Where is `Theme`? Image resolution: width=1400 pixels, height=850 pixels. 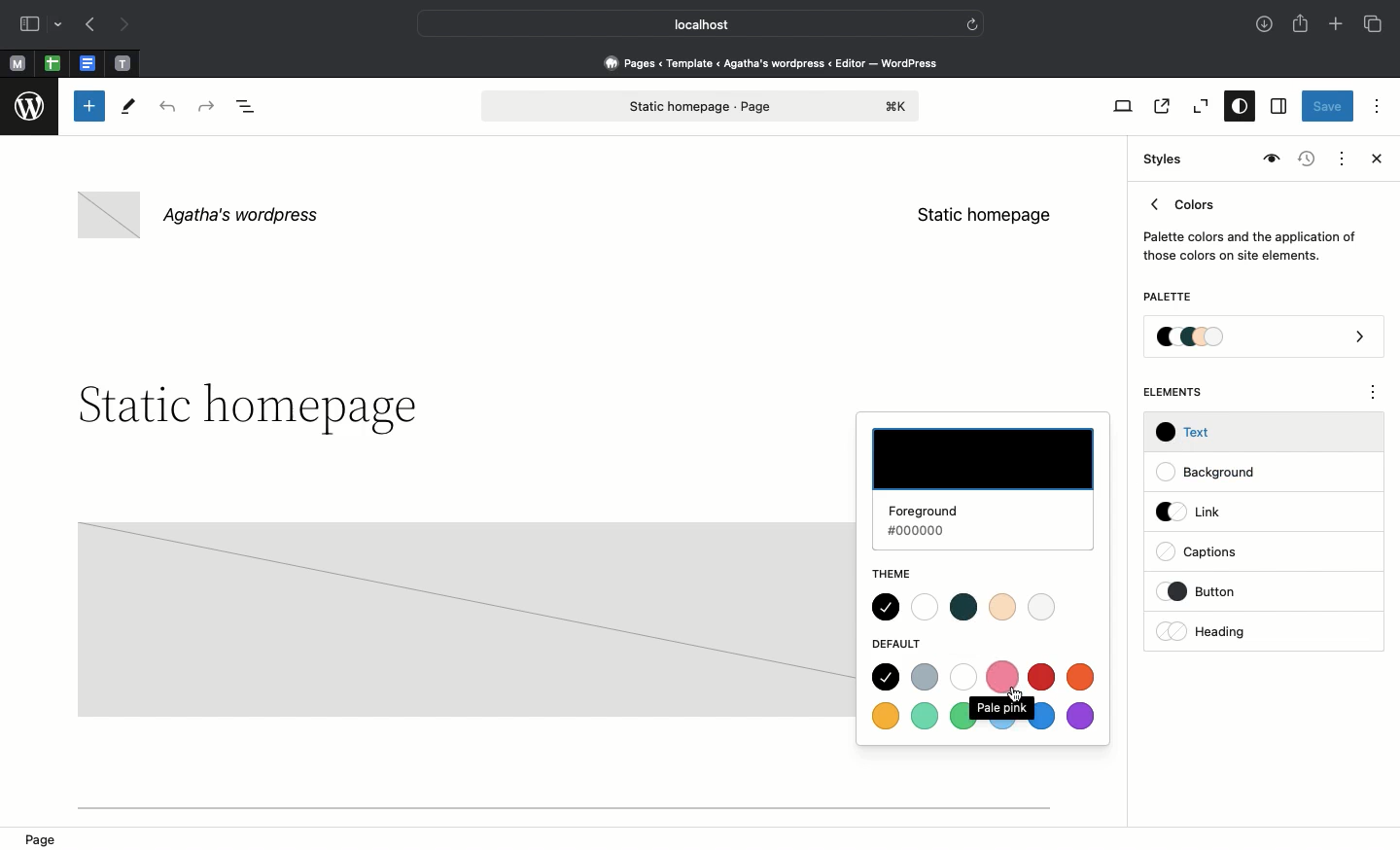
Theme is located at coordinates (905, 575).